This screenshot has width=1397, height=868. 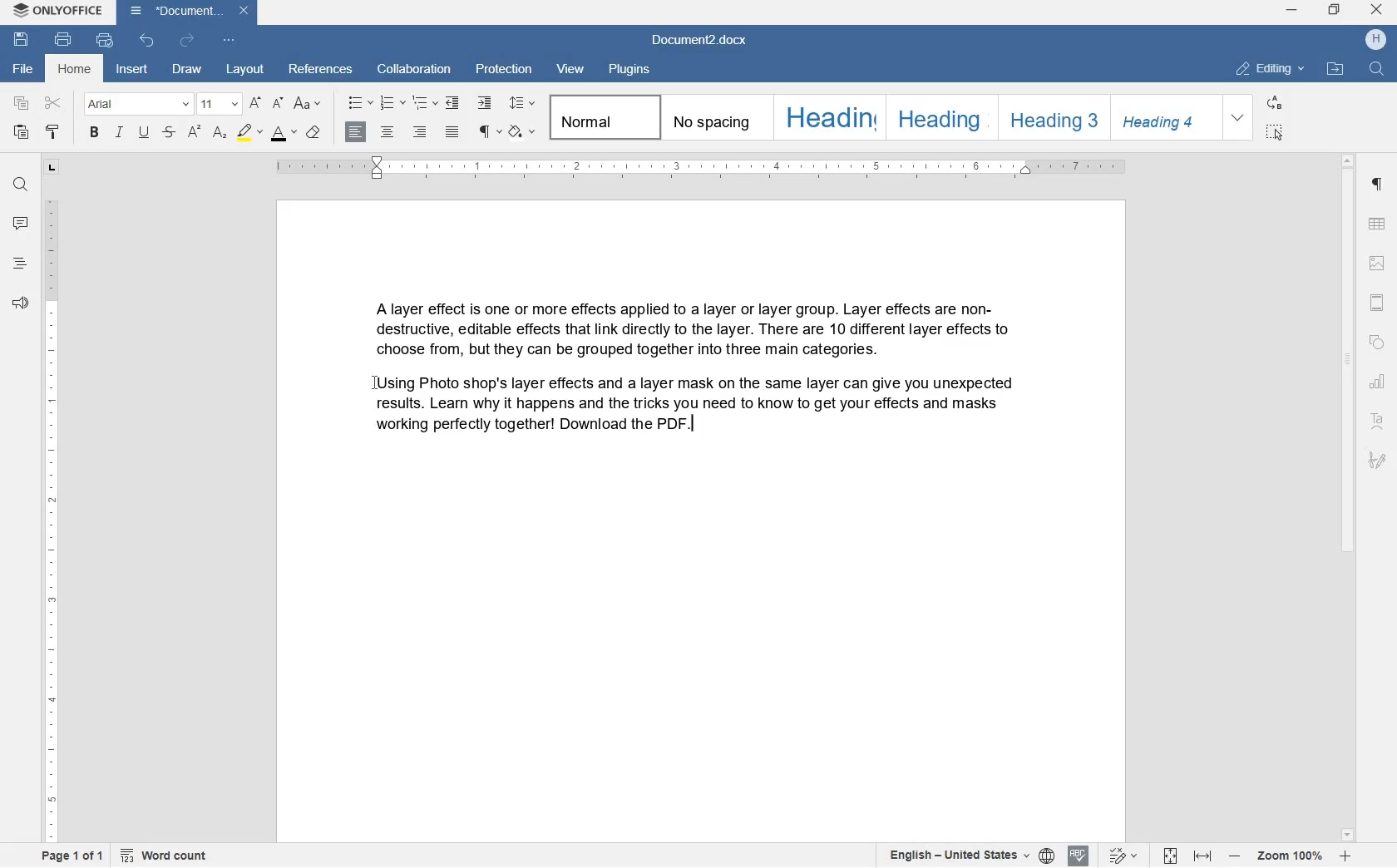 I want to click on STRIKETHROUGH, so click(x=168, y=134).